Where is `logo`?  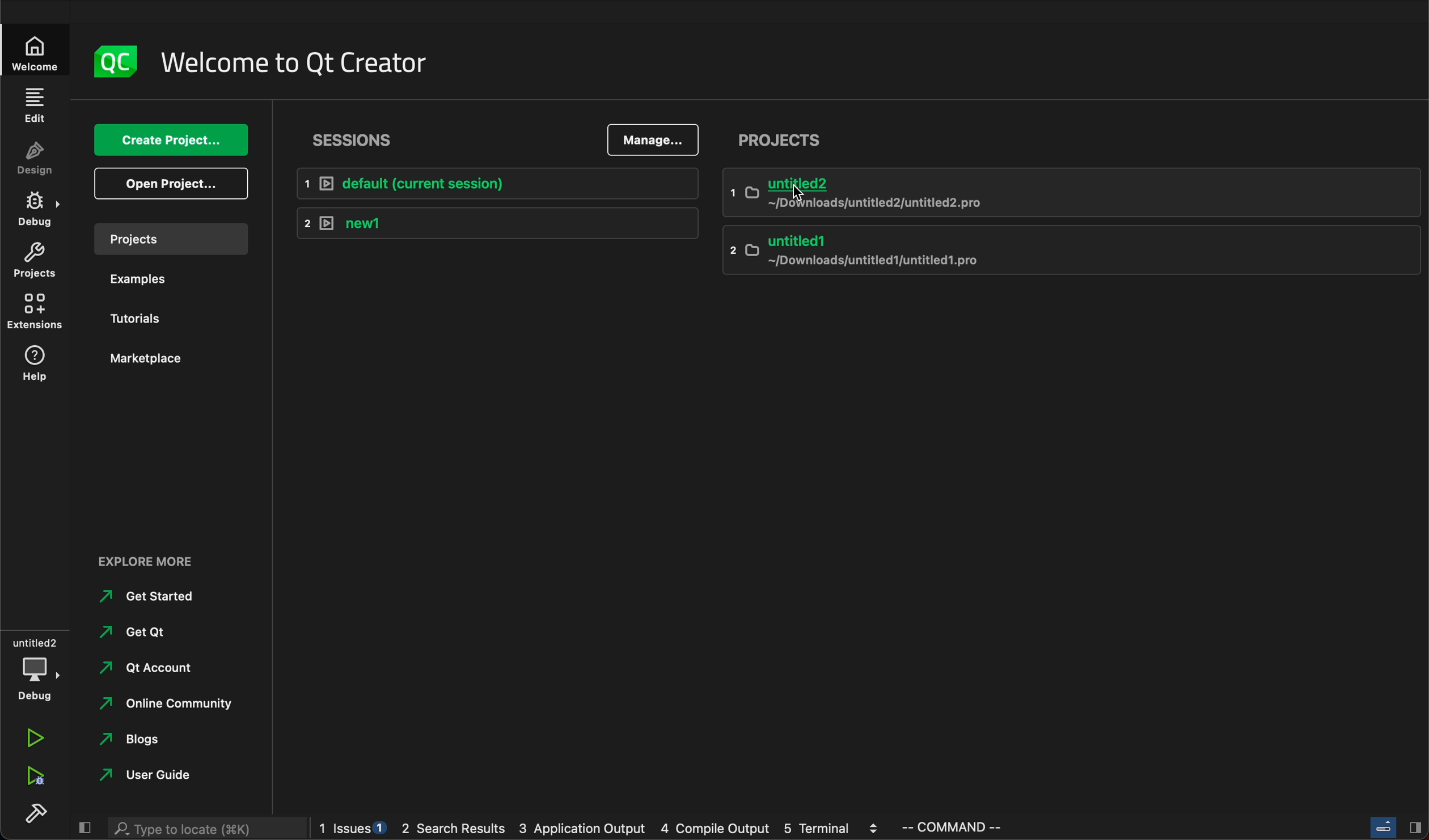 logo is located at coordinates (110, 62).